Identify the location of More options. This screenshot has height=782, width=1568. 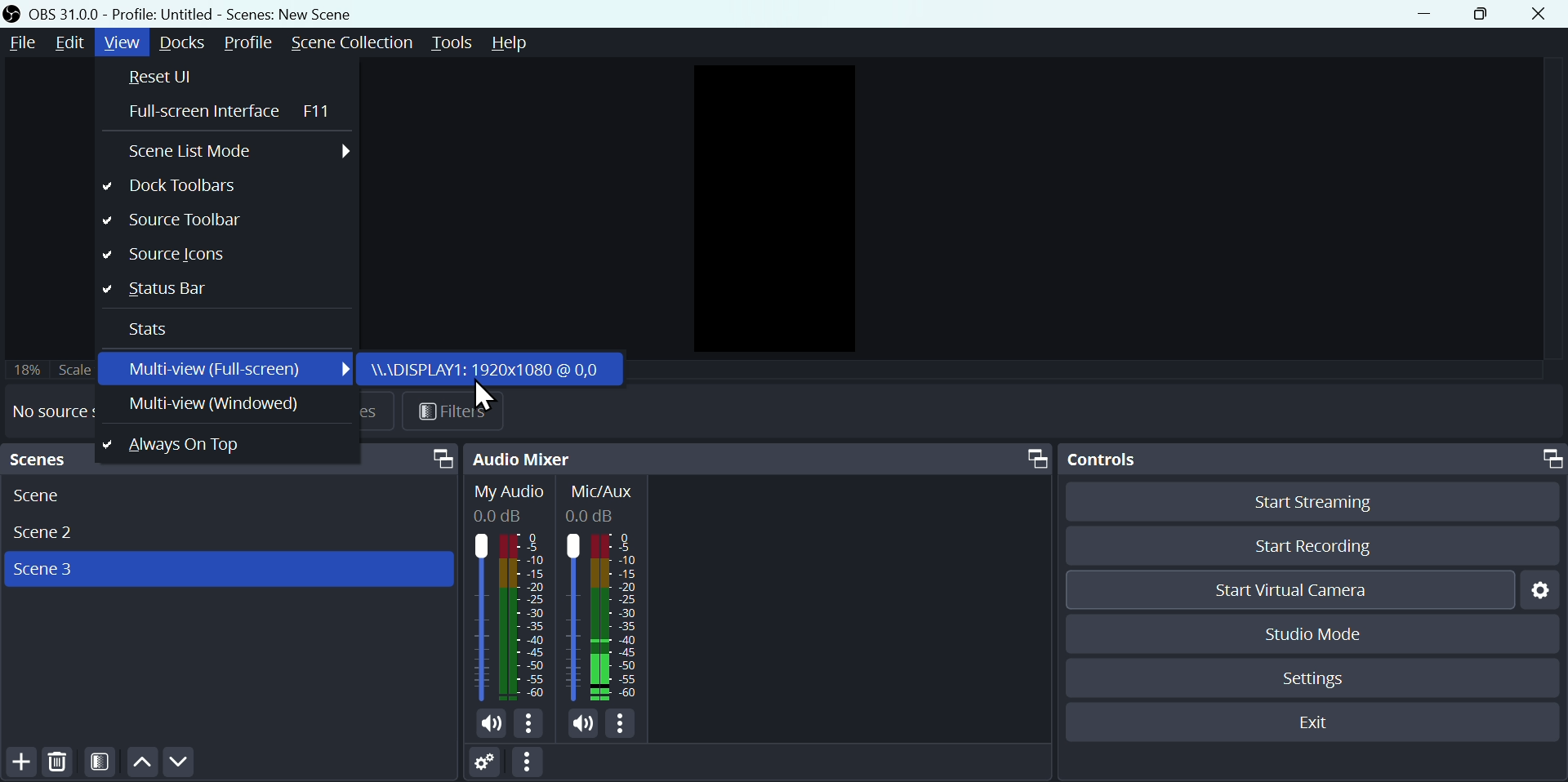
(535, 763).